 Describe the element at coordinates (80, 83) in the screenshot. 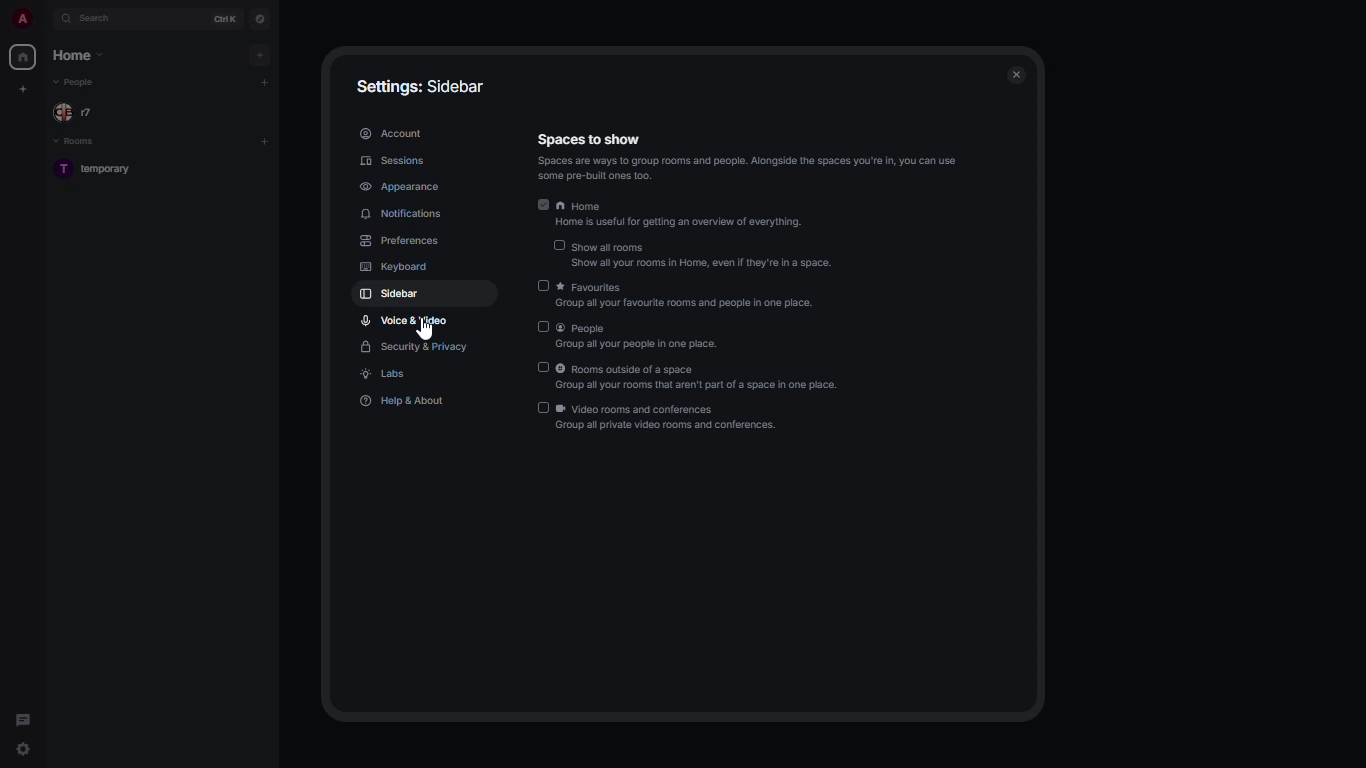

I see `people` at that location.